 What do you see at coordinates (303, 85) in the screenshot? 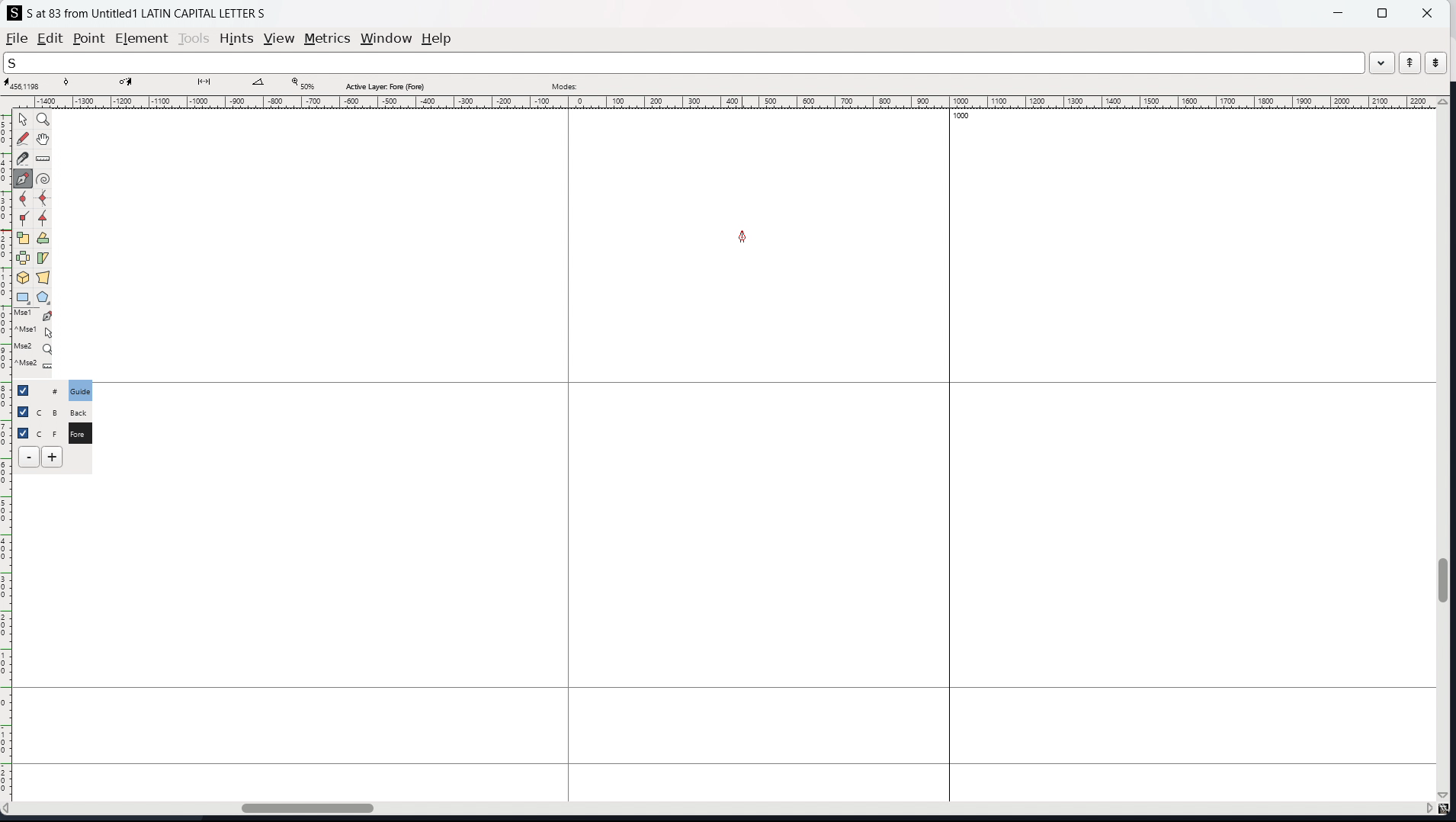
I see `zoom level` at bounding box center [303, 85].